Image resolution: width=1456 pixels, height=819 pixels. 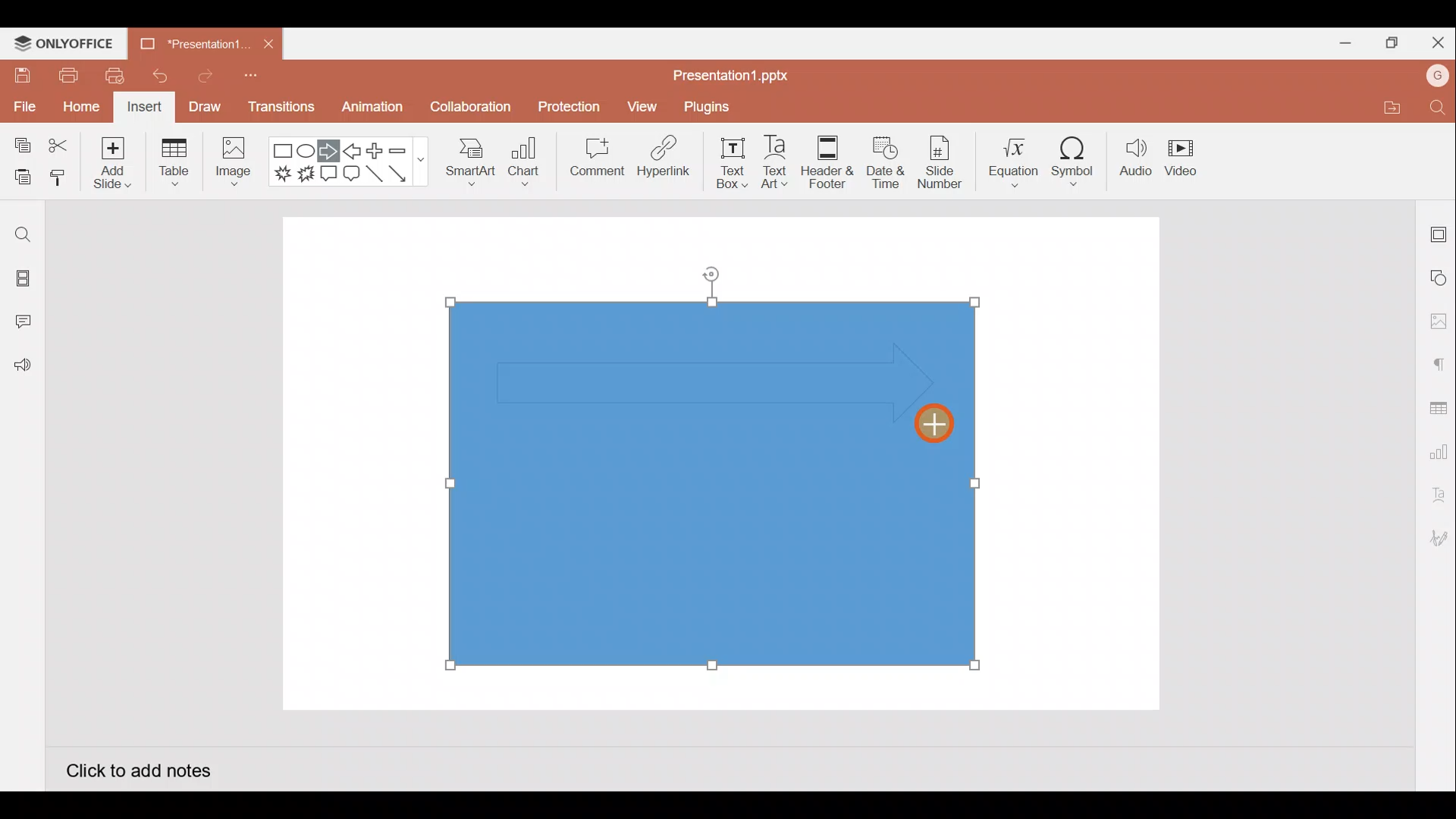 What do you see at coordinates (329, 174) in the screenshot?
I see `Rectangular callout` at bounding box center [329, 174].